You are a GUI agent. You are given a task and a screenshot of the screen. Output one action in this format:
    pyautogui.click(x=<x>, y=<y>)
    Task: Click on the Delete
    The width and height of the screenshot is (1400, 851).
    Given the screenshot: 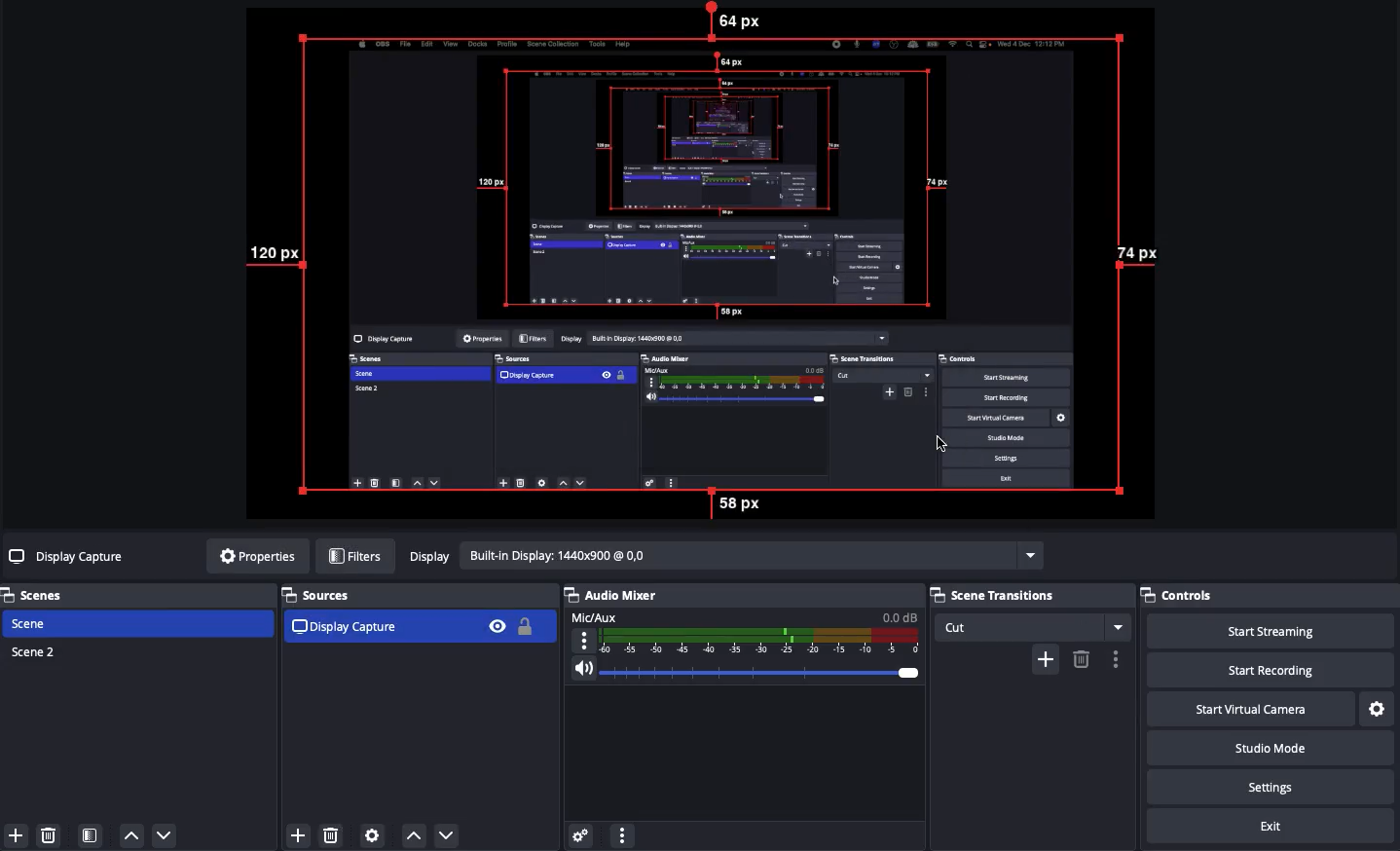 What is the action you would take?
    pyautogui.click(x=332, y=832)
    